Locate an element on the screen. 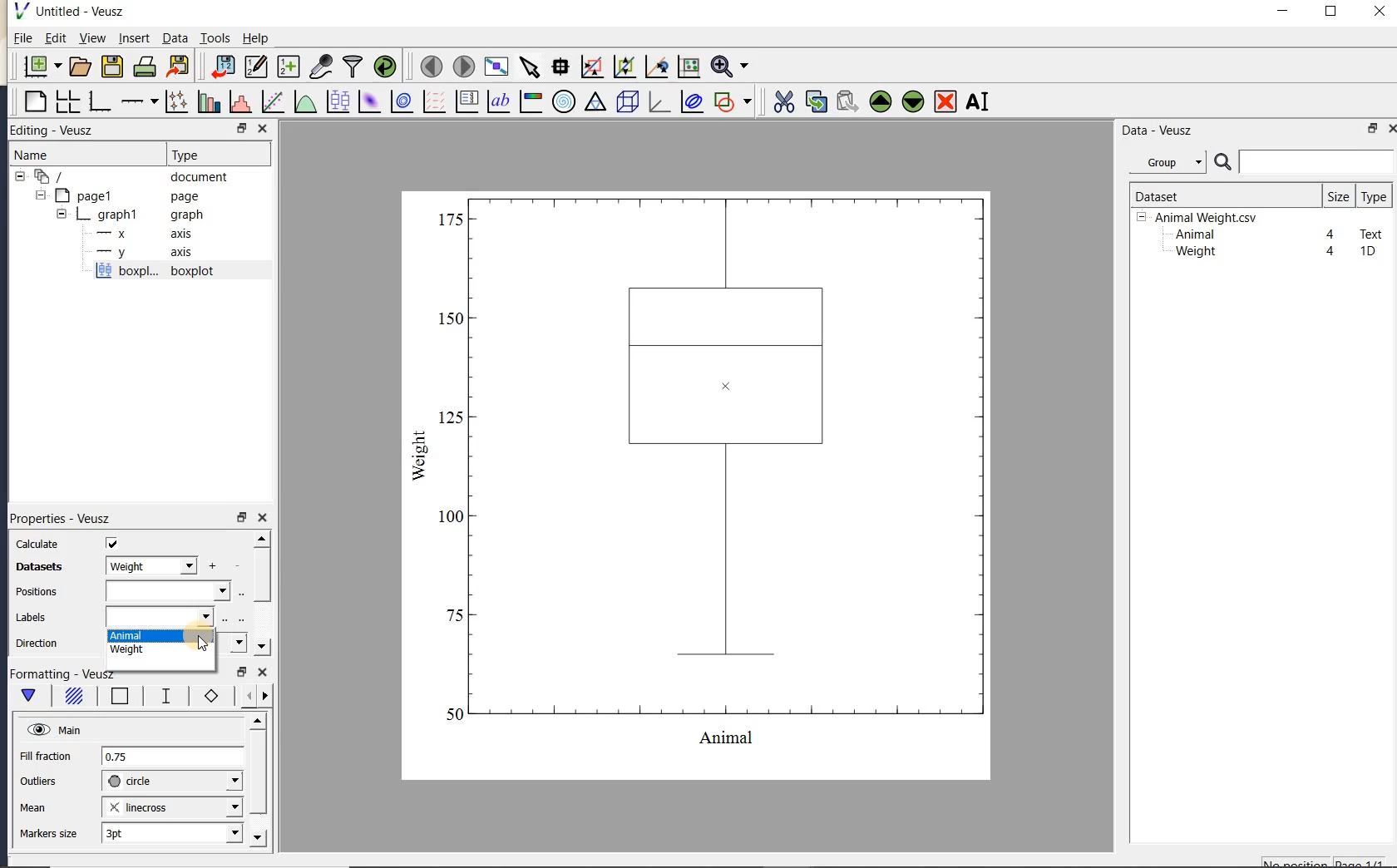 This screenshot has width=1397, height=868. close is located at coordinates (263, 673).